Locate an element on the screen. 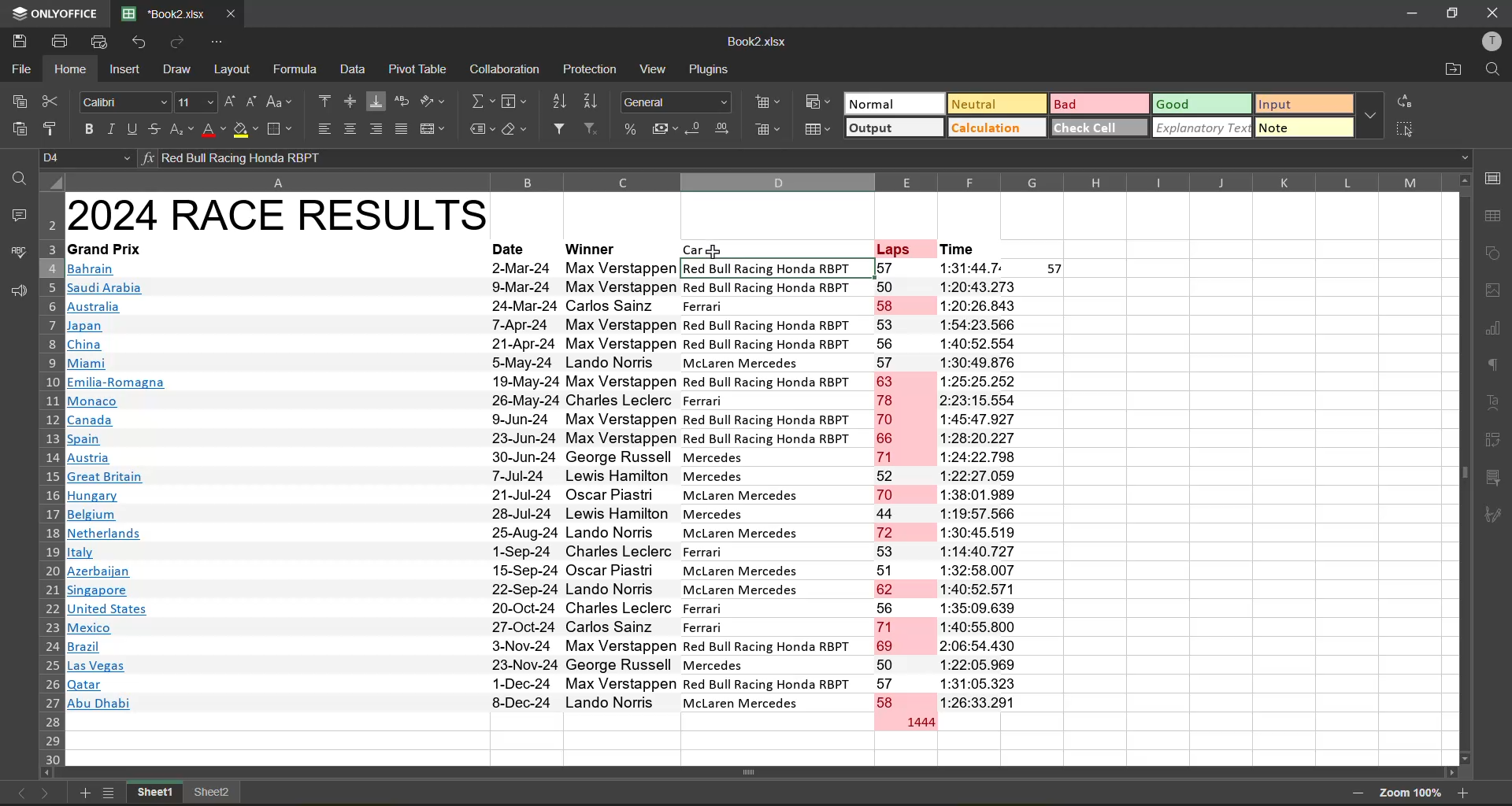  align bottom is located at coordinates (375, 100).